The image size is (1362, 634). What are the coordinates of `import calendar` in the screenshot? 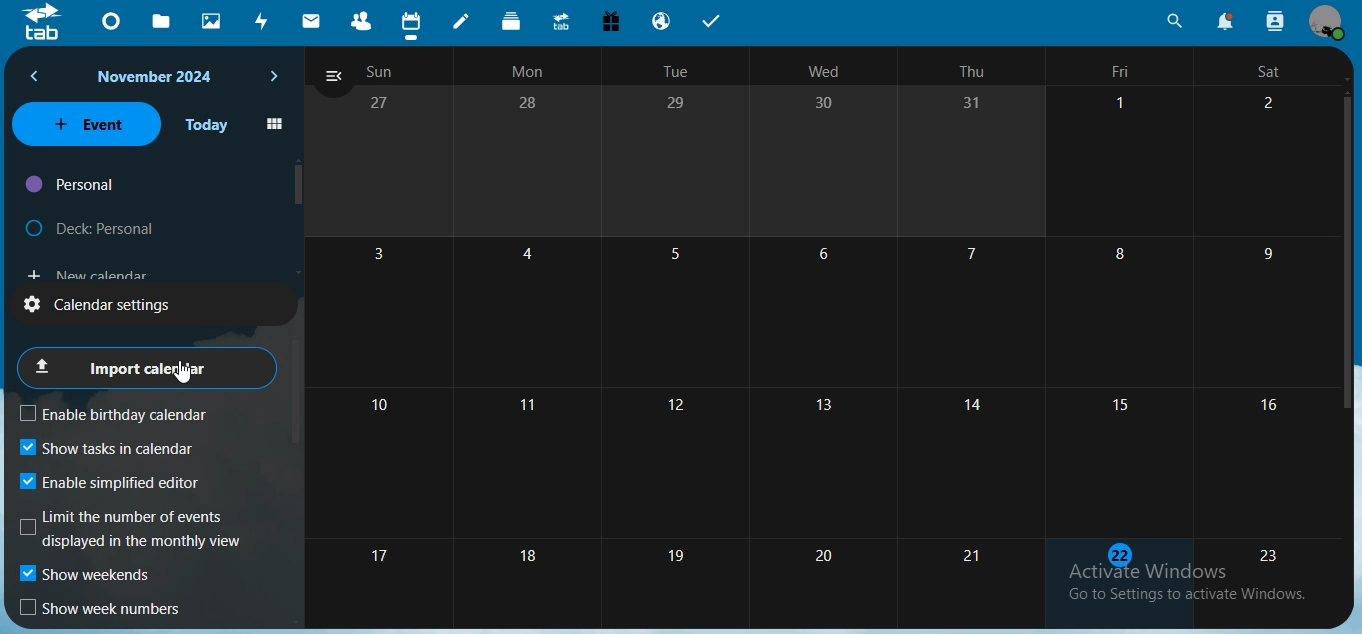 It's located at (144, 367).